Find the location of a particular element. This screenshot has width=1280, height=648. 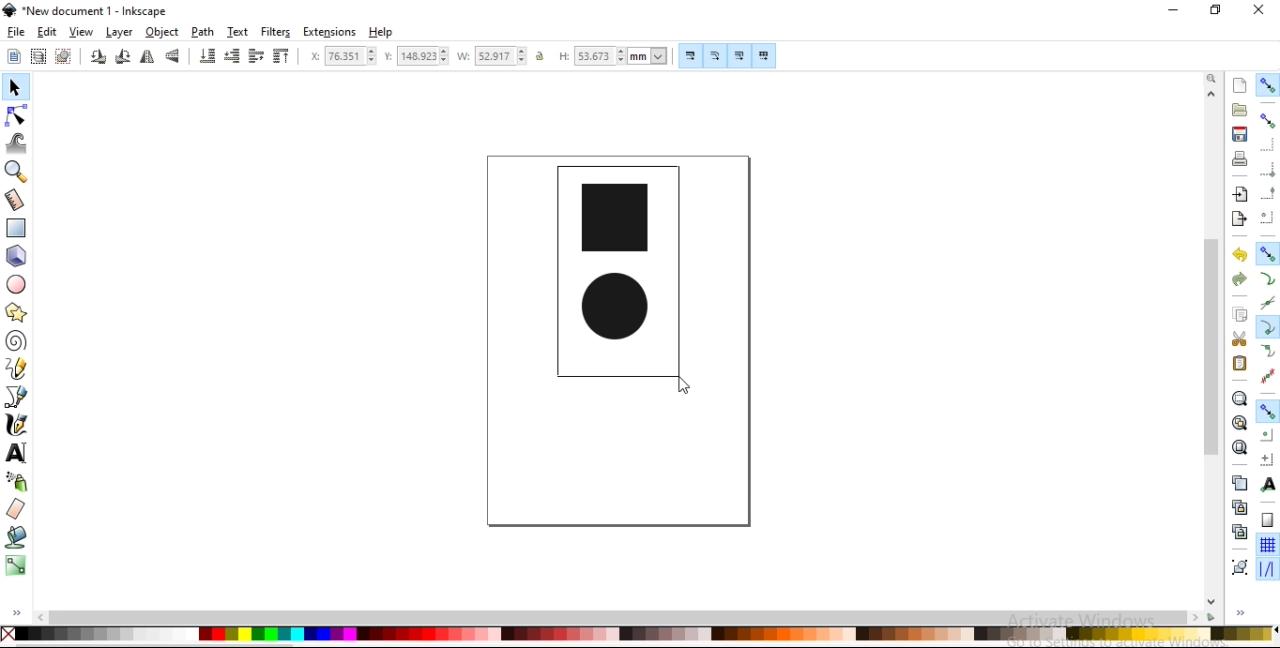

edit paths by nodes is located at coordinates (19, 116).